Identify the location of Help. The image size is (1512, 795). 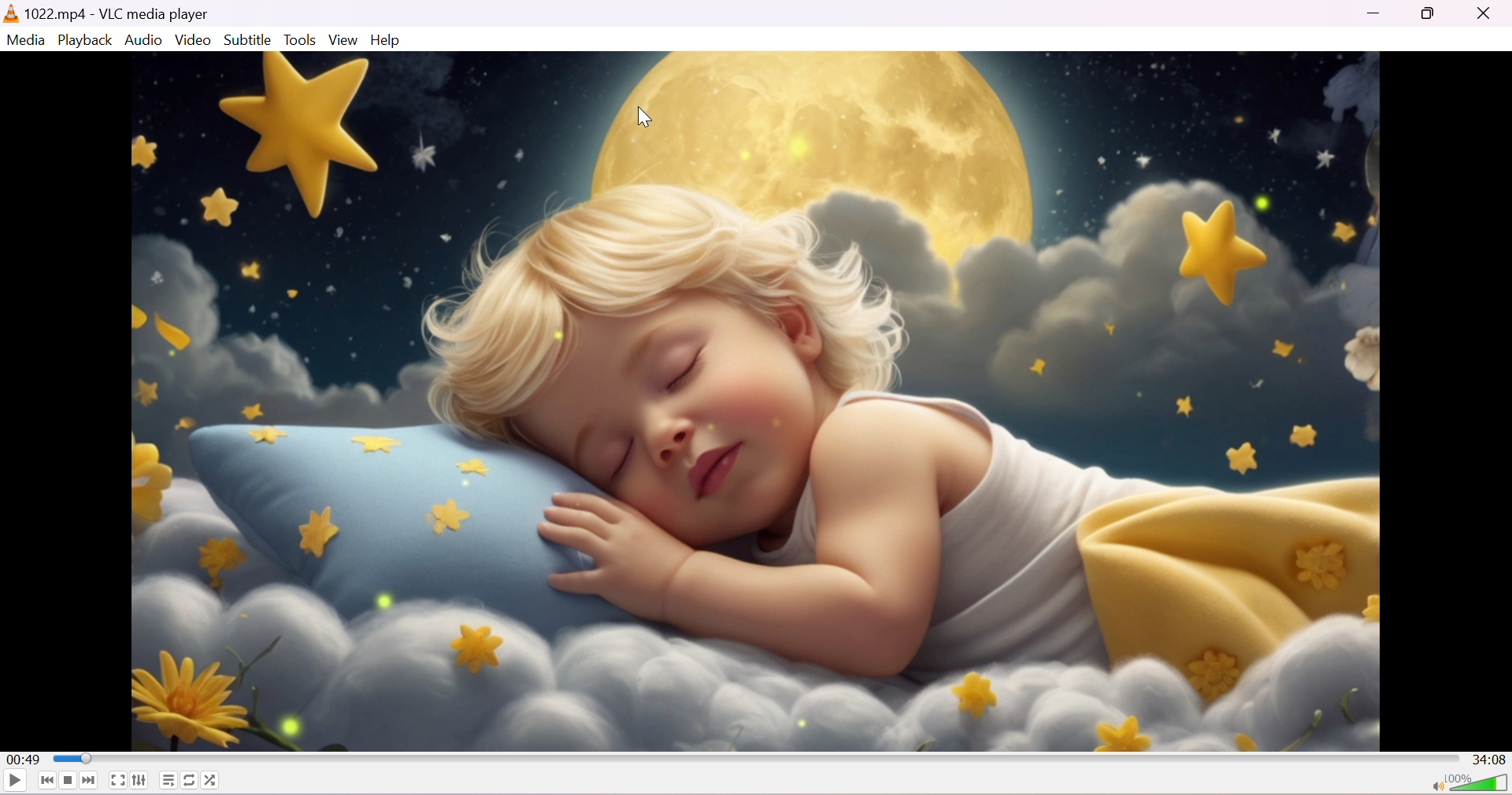
(384, 41).